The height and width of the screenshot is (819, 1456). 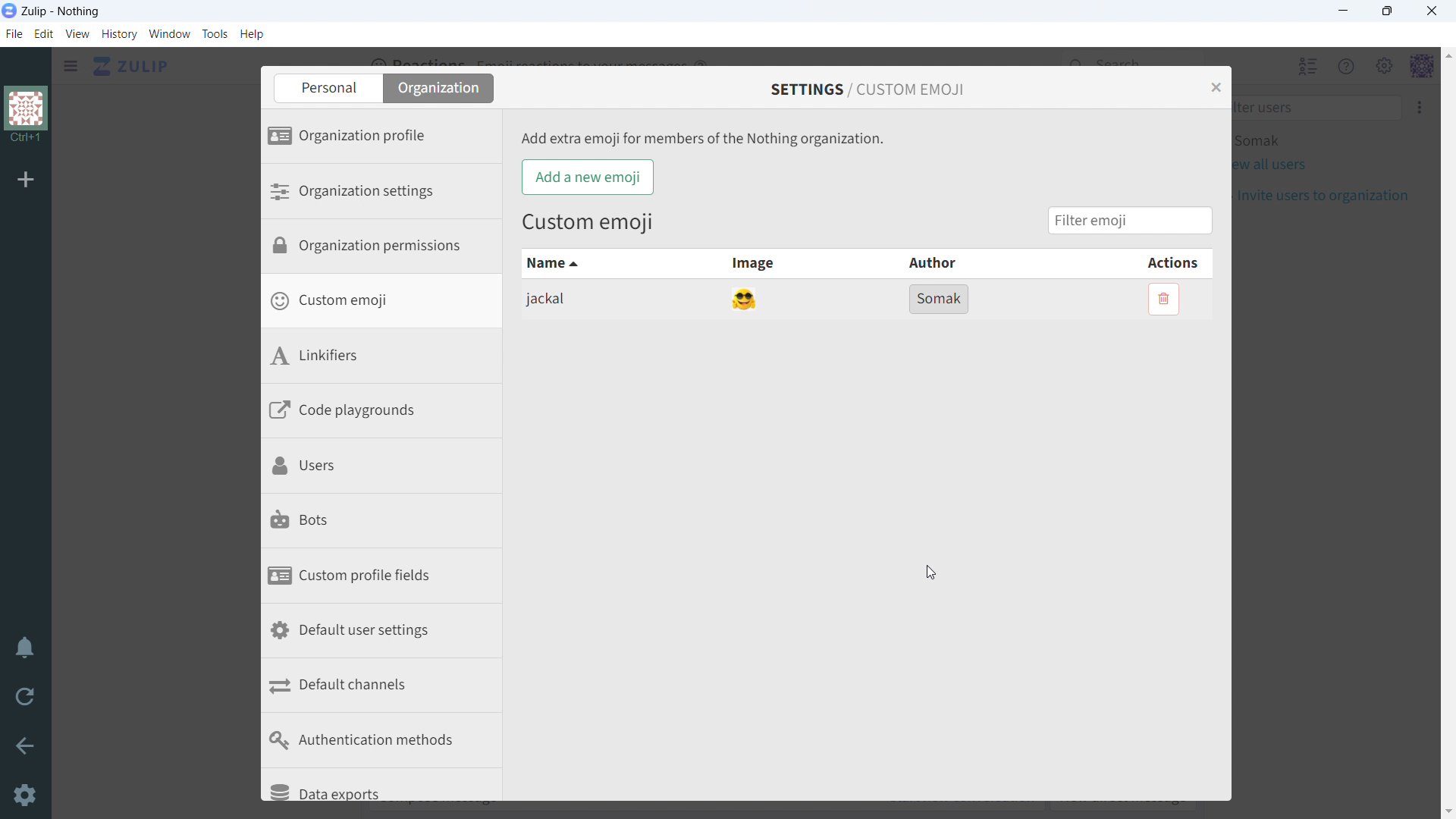 What do you see at coordinates (762, 265) in the screenshot?
I see `image` at bounding box center [762, 265].